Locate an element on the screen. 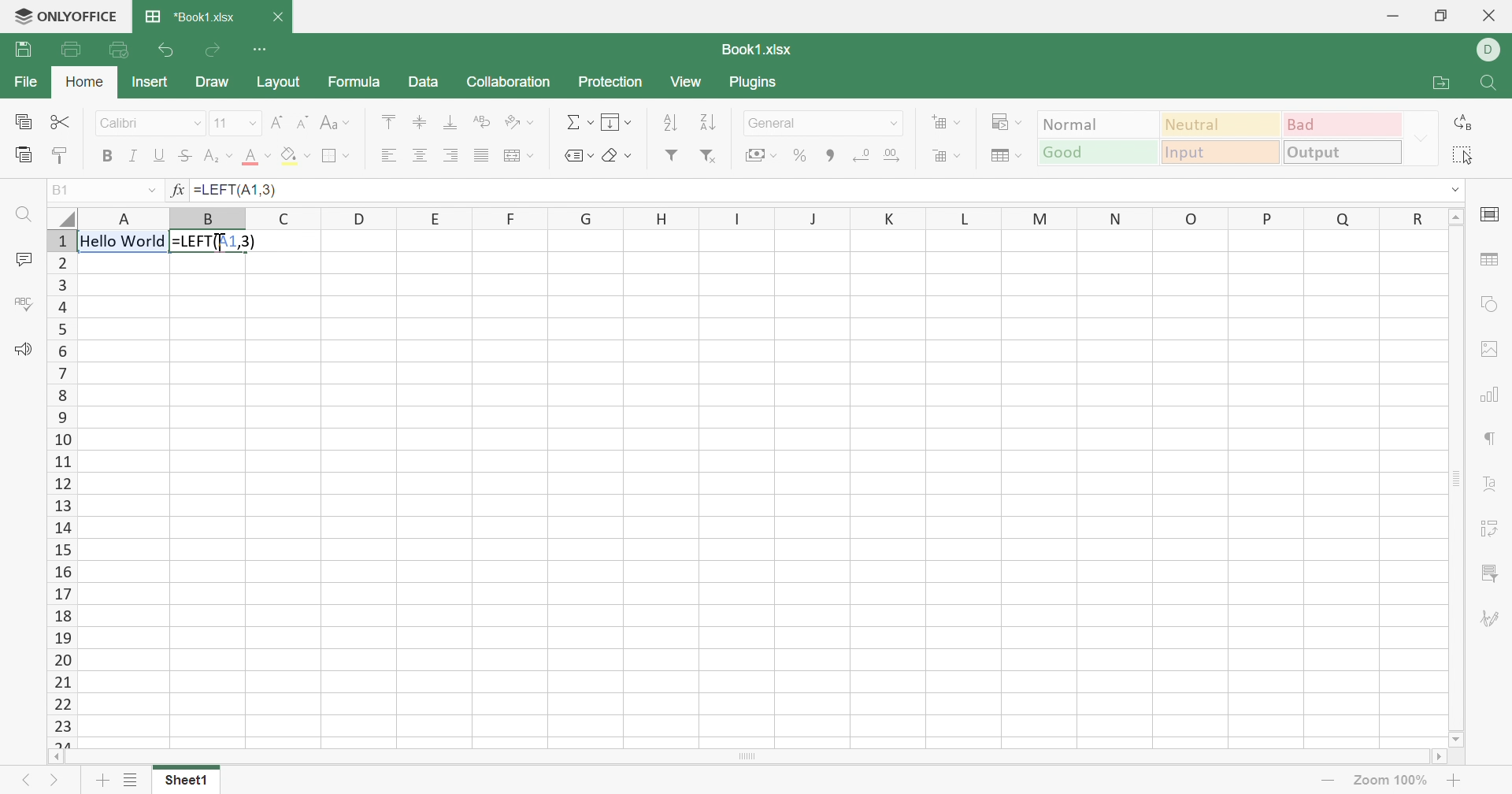  Align left is located at coordinates (388, 155).